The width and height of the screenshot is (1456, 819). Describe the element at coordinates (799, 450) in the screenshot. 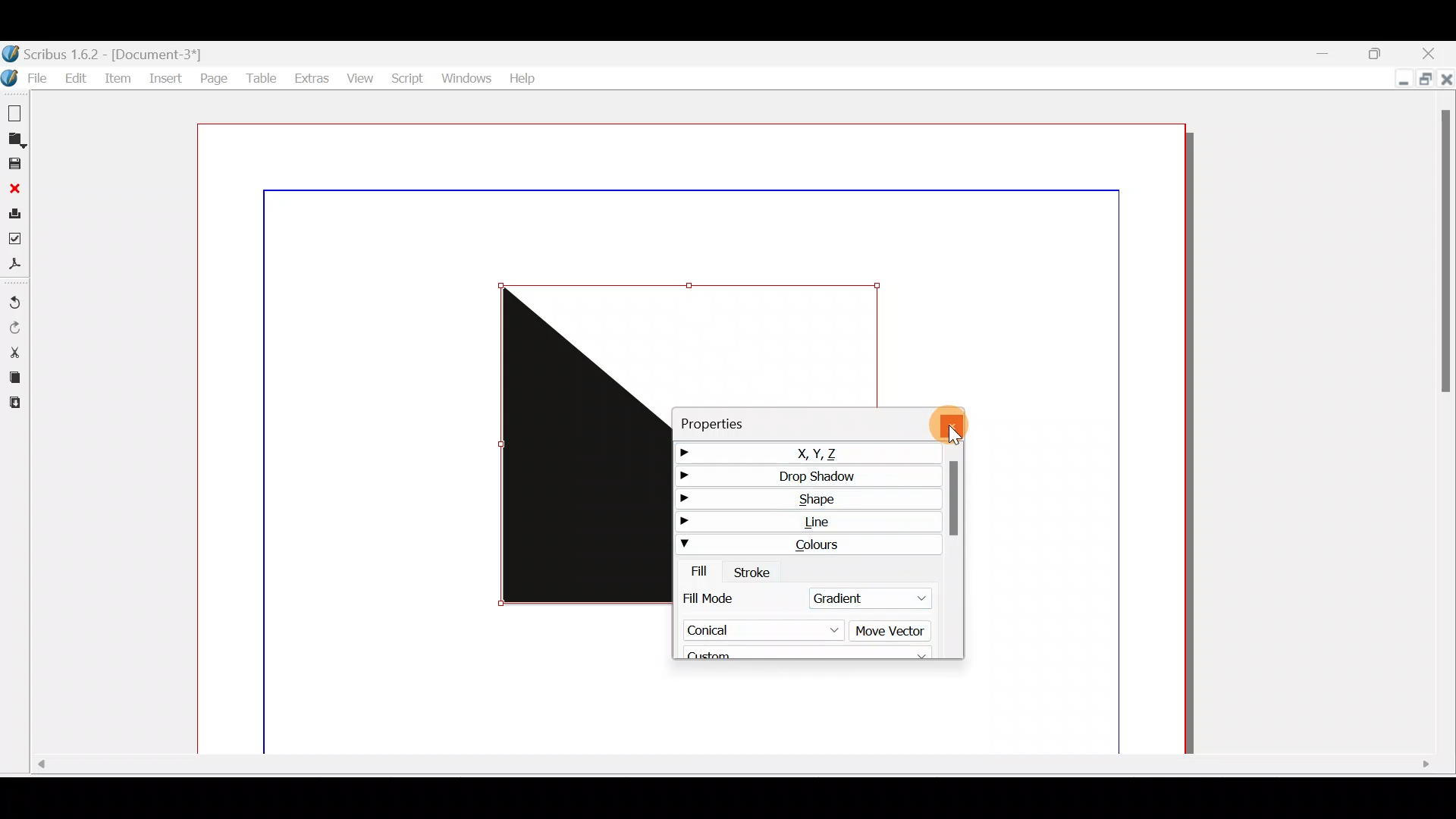

I see `X,Y,Z` at that location.